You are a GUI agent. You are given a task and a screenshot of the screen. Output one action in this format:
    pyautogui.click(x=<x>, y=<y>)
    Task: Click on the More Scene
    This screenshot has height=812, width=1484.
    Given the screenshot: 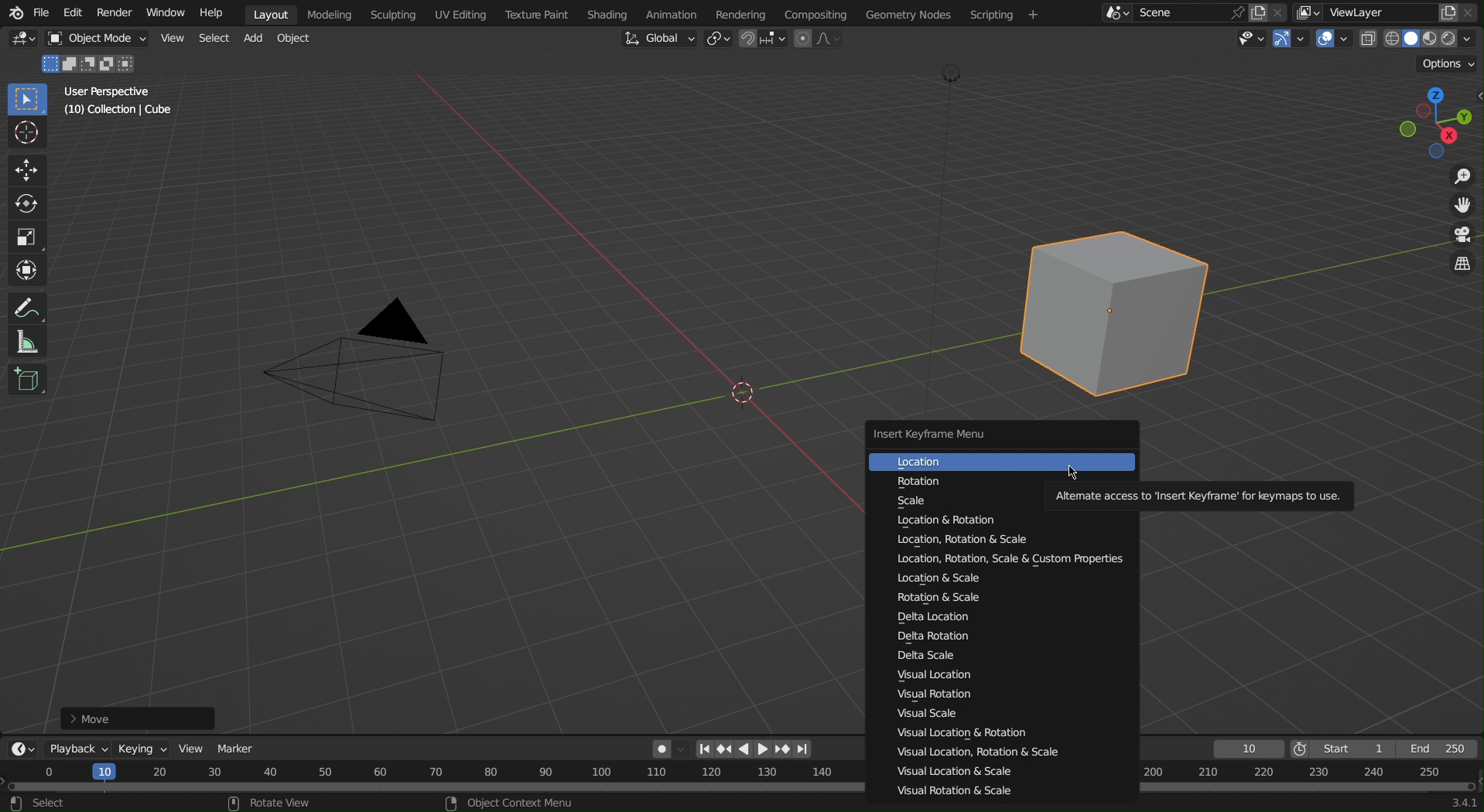 What is the action you would take?
    pyautogui.click(x=1115, y=12)
    